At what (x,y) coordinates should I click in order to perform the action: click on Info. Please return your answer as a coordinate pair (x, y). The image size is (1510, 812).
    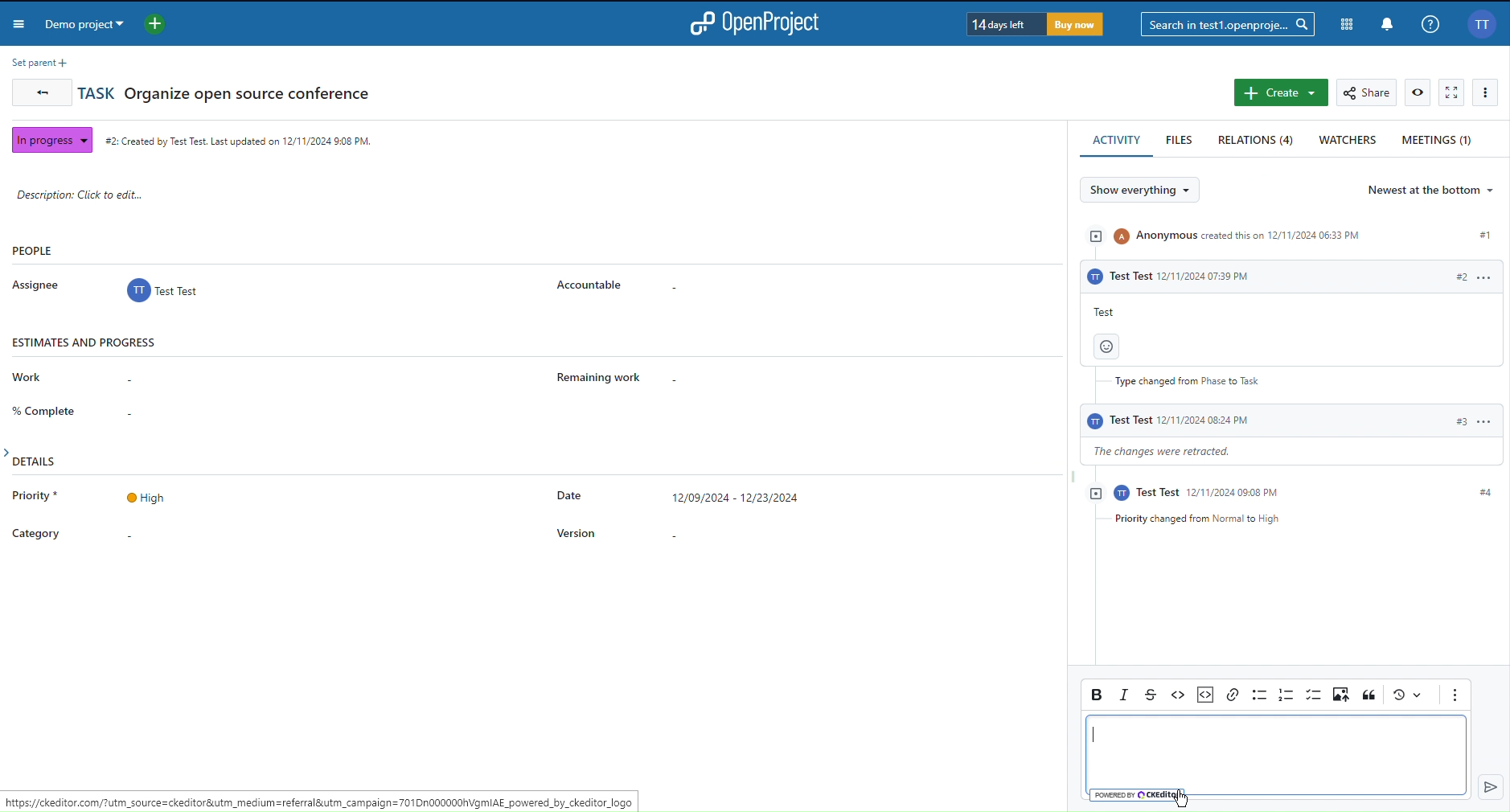
    Looking at the image, I should click on (1430, 23).